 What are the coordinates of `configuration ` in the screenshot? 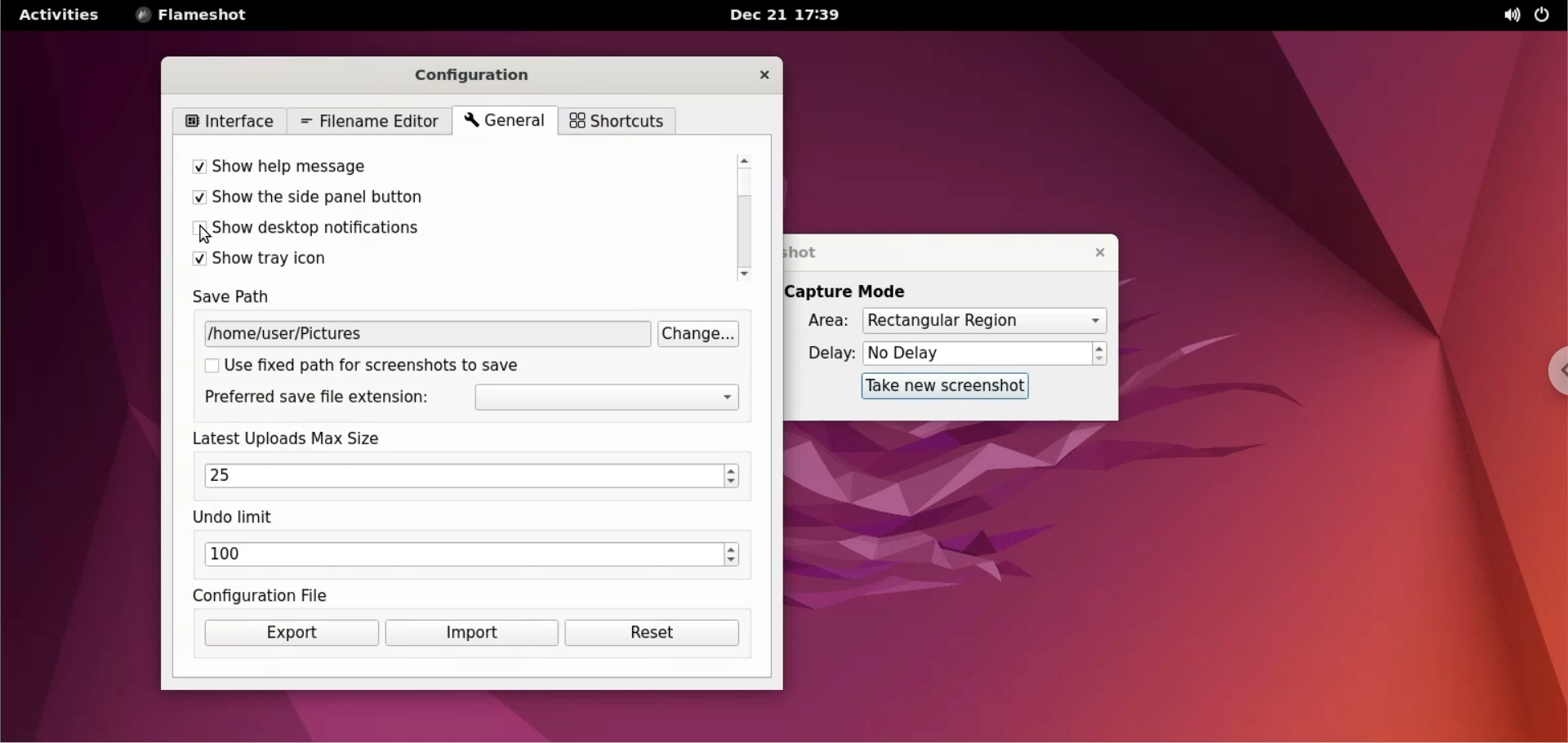 It's located at (484, 73).